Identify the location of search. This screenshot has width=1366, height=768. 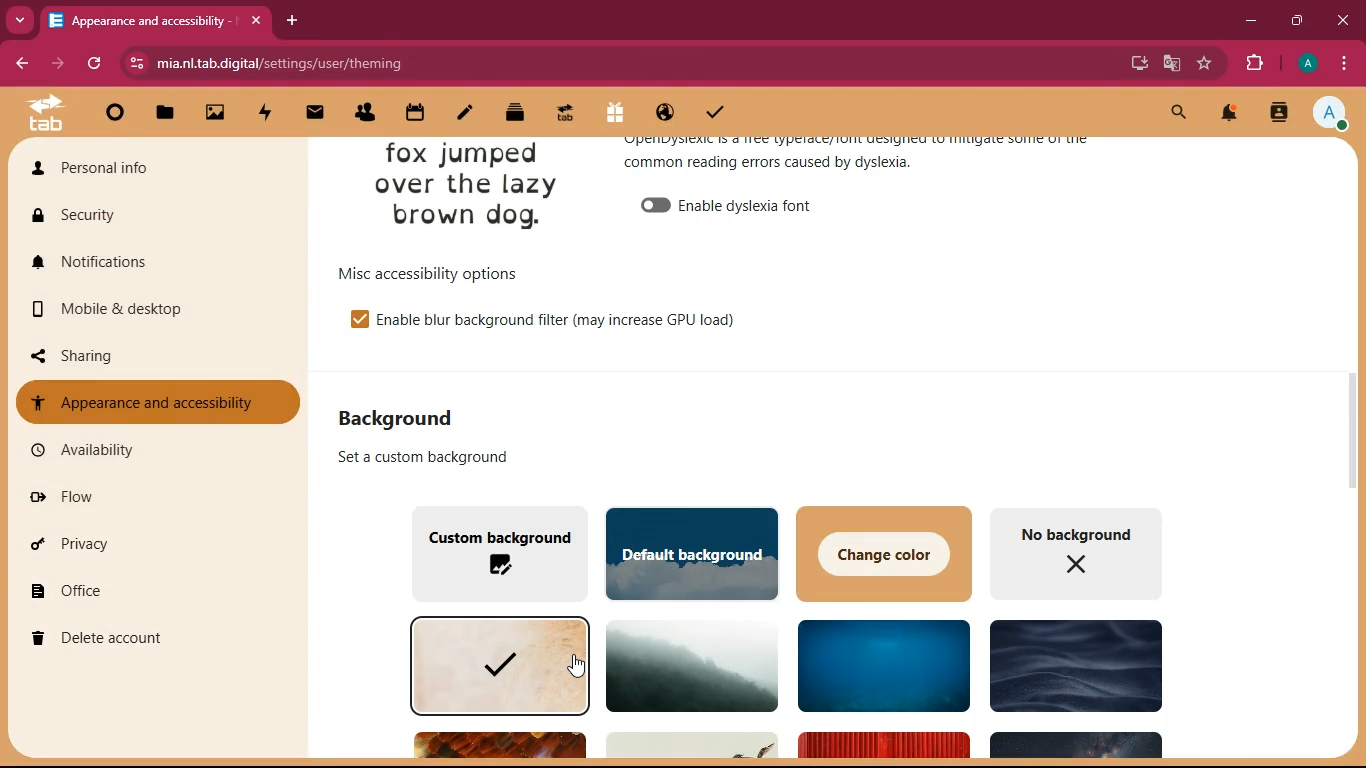
(1176, 115).